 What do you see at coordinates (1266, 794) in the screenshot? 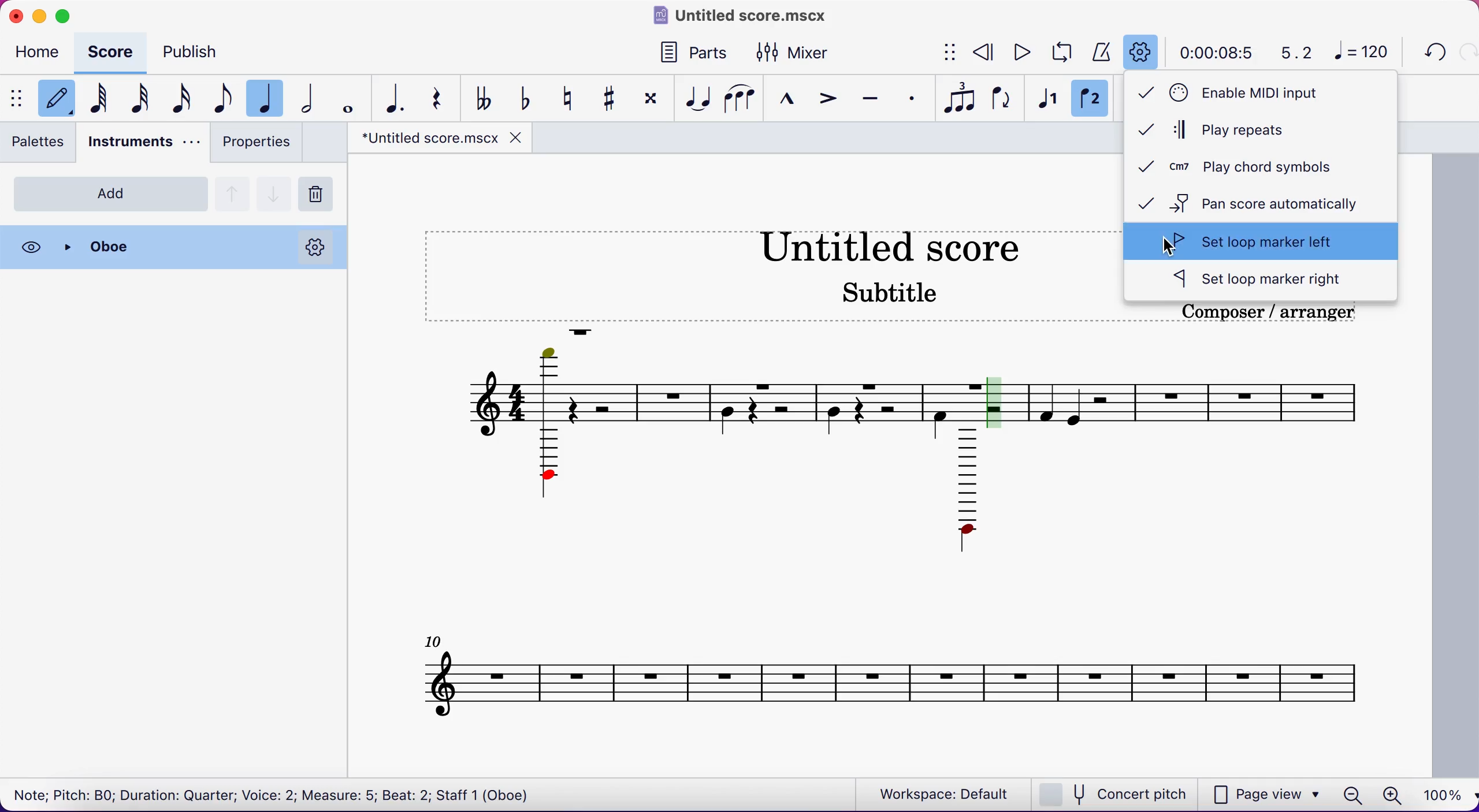
I see `page view` at bounding box center [1266, 794].